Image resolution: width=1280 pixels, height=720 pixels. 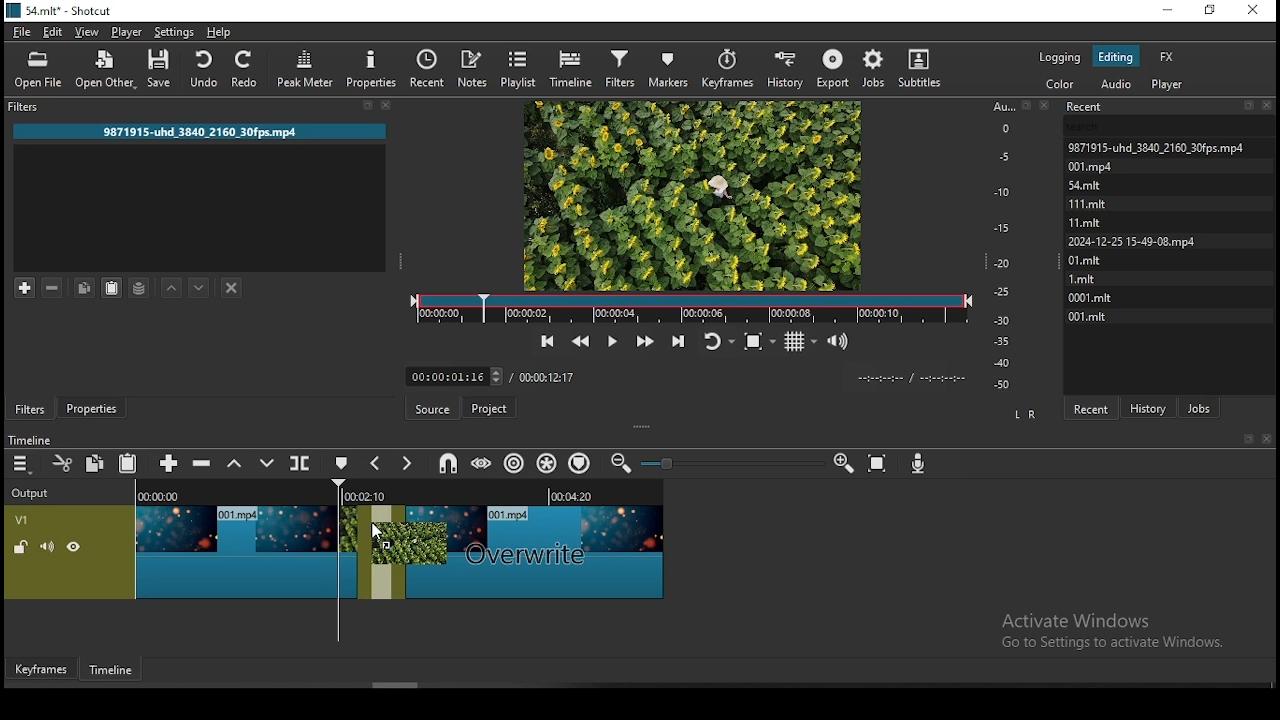 What do you see at coordinates (435, 409) in the screenshot?
I see `source` at bounding box center [435, 409].